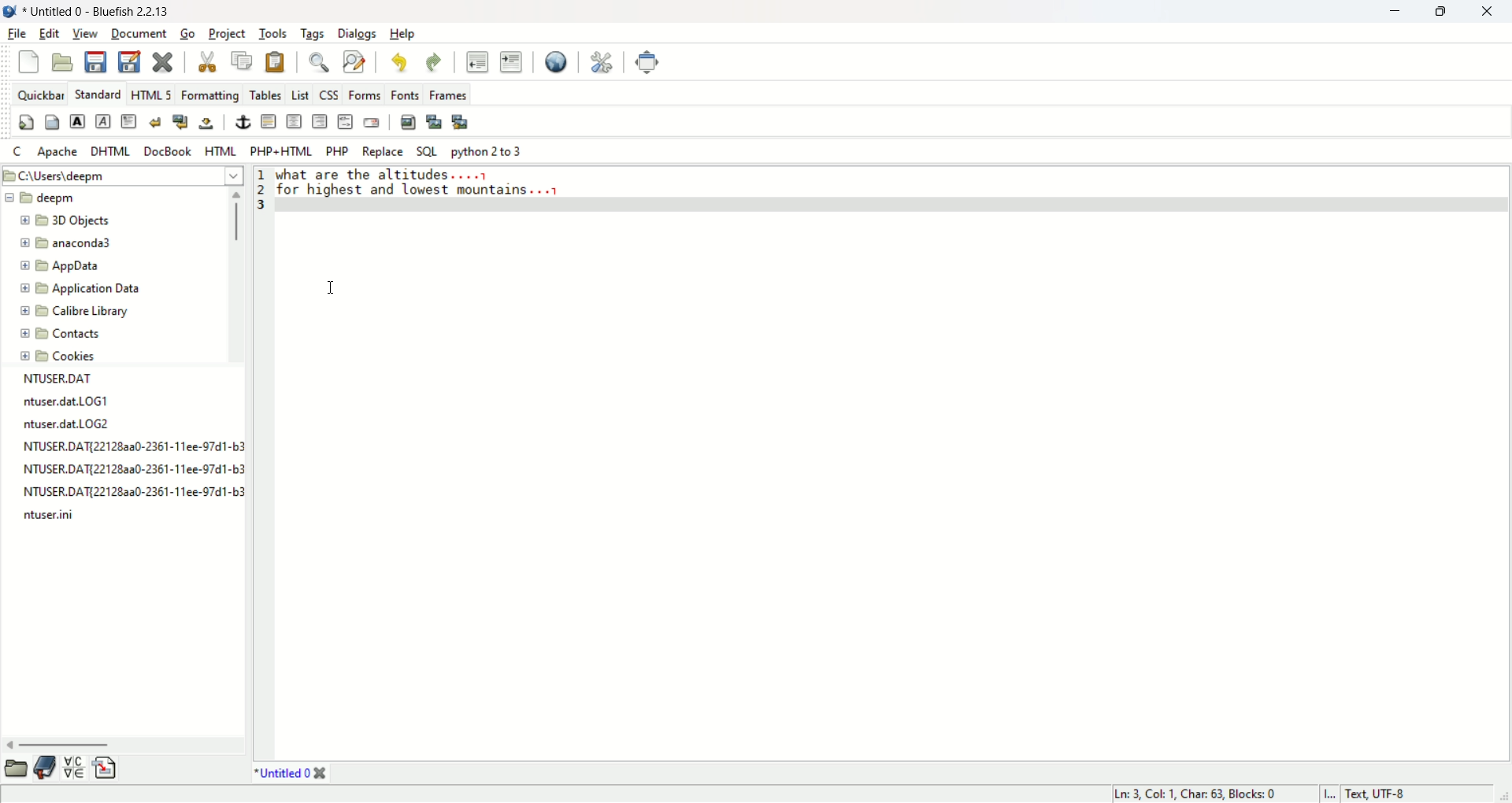  Describe the element at coordinates (205, 64) in the screenshot. I see `cut` at that location.